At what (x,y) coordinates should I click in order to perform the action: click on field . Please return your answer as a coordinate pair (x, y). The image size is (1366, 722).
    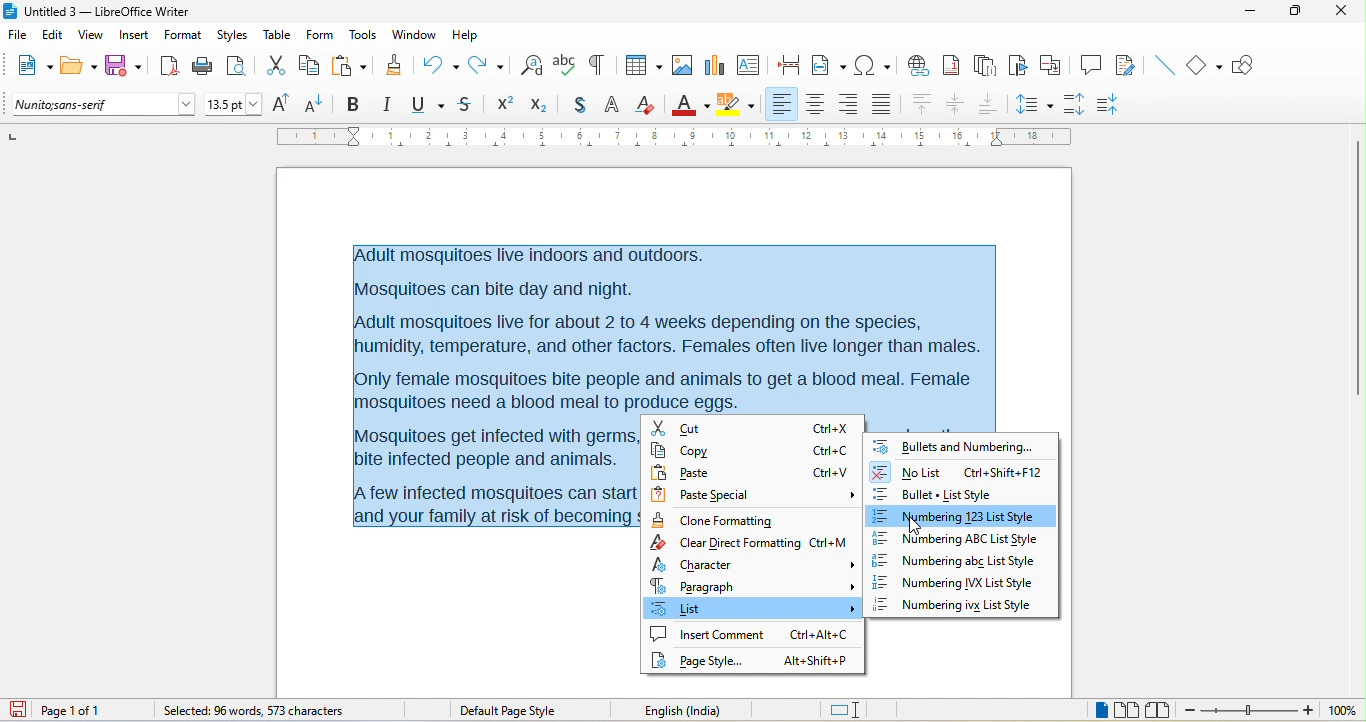
    Looking at the image, I should click on (829, 63).